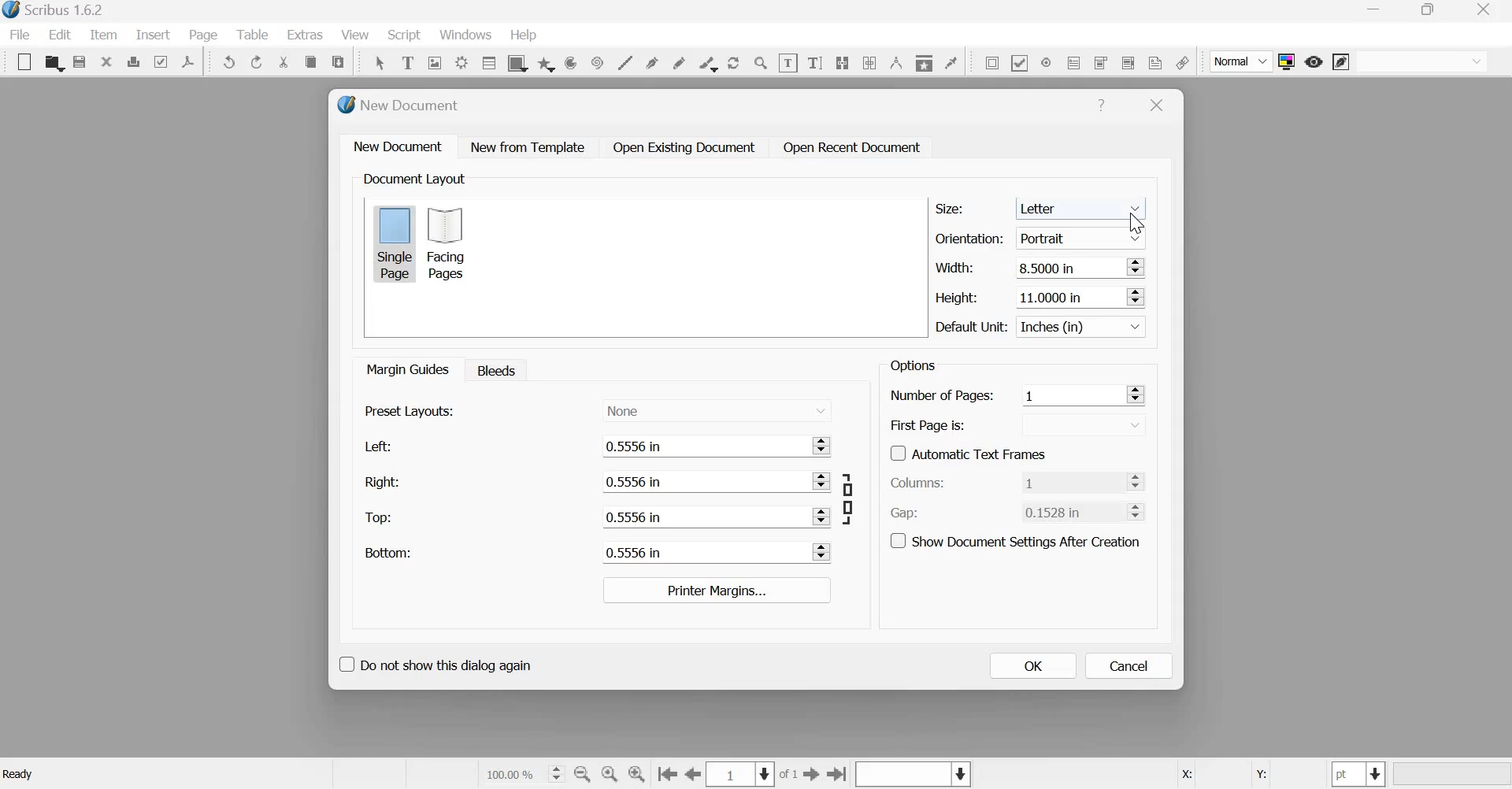  What do you see at coordinates (403, 35) in the screenshot?
I see `Script` at bounding box center [403, 35].